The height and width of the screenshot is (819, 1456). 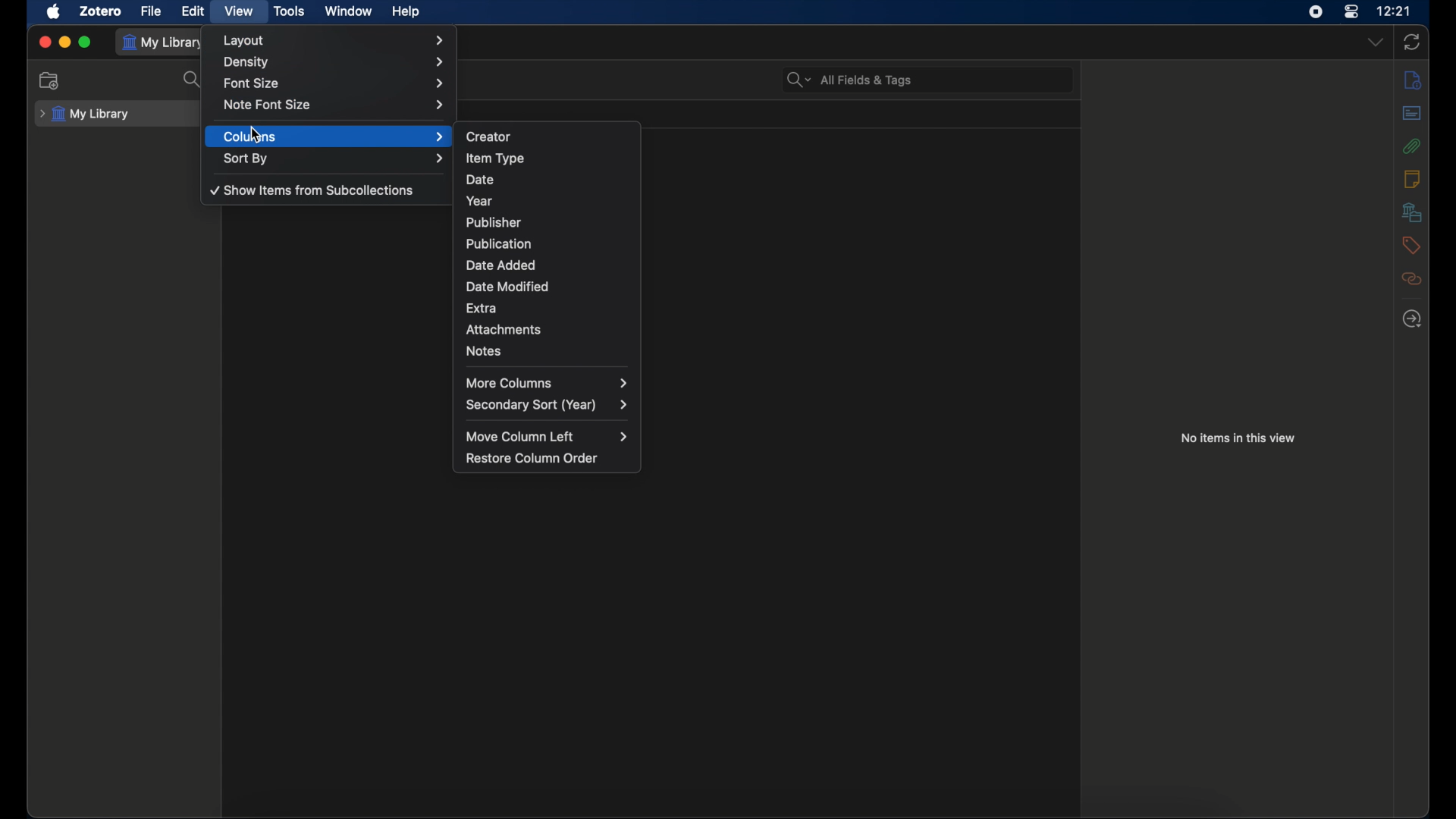 What do you see at coordinates (193, 11) in the screenshot?
I see `edit` at bounding box center [193, 11].